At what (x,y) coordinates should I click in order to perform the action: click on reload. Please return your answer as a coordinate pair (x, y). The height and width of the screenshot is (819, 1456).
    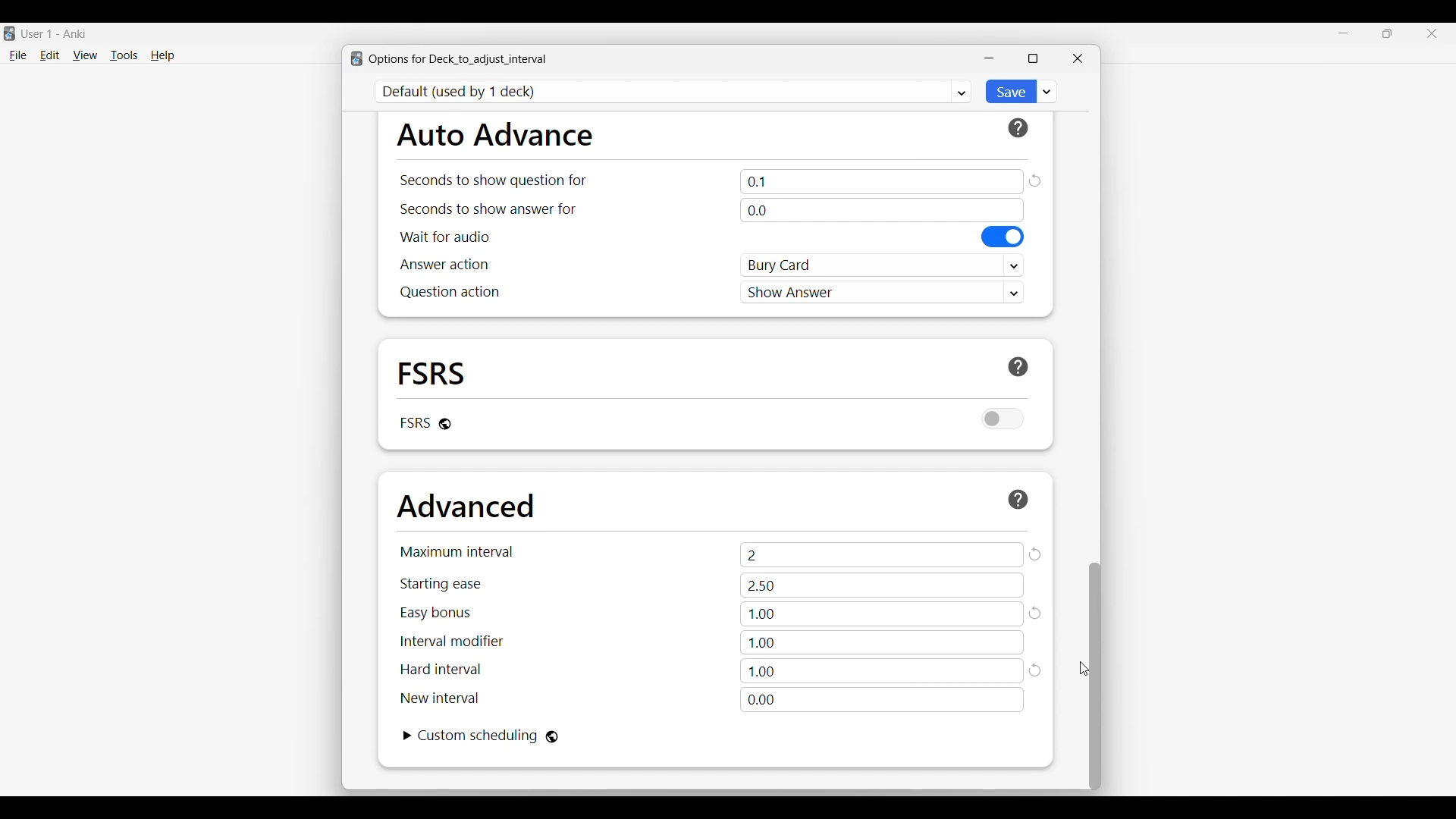
    Looking at the image, I should click on (1034, 180).